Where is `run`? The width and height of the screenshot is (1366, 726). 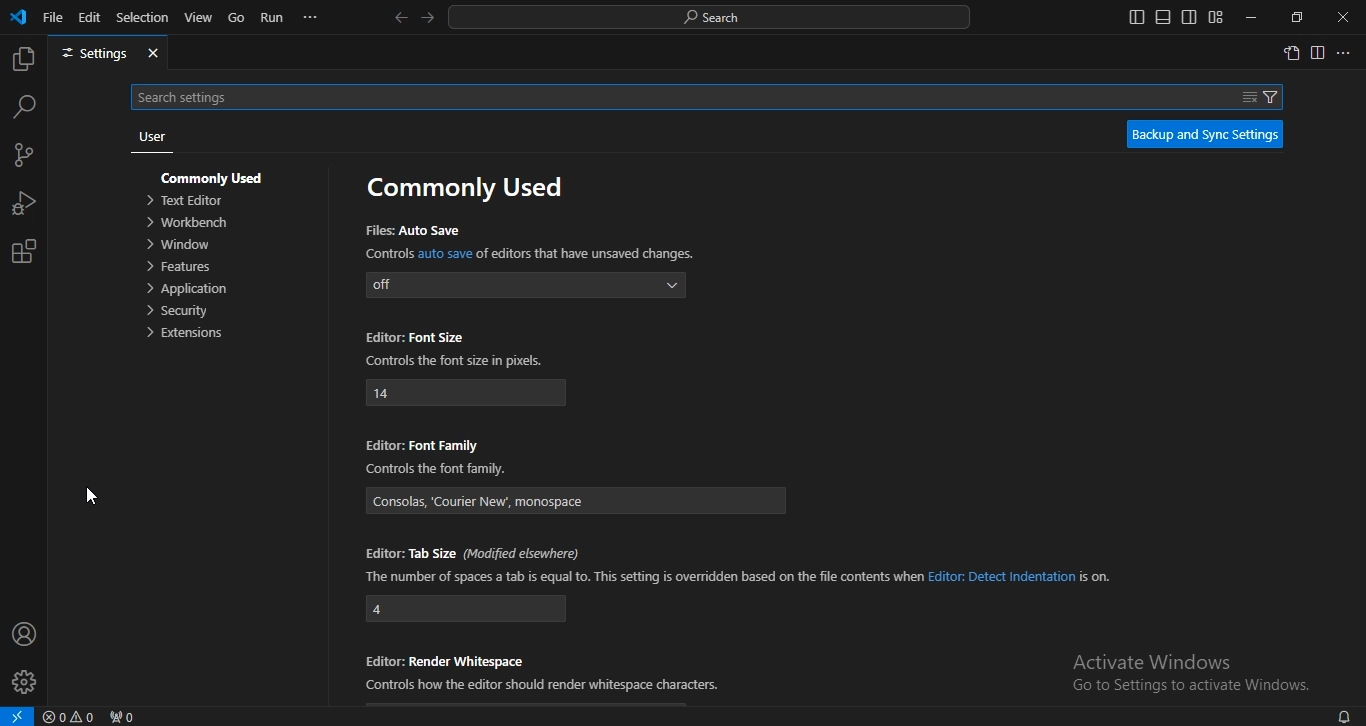
run is located at coordinates (273, 18).